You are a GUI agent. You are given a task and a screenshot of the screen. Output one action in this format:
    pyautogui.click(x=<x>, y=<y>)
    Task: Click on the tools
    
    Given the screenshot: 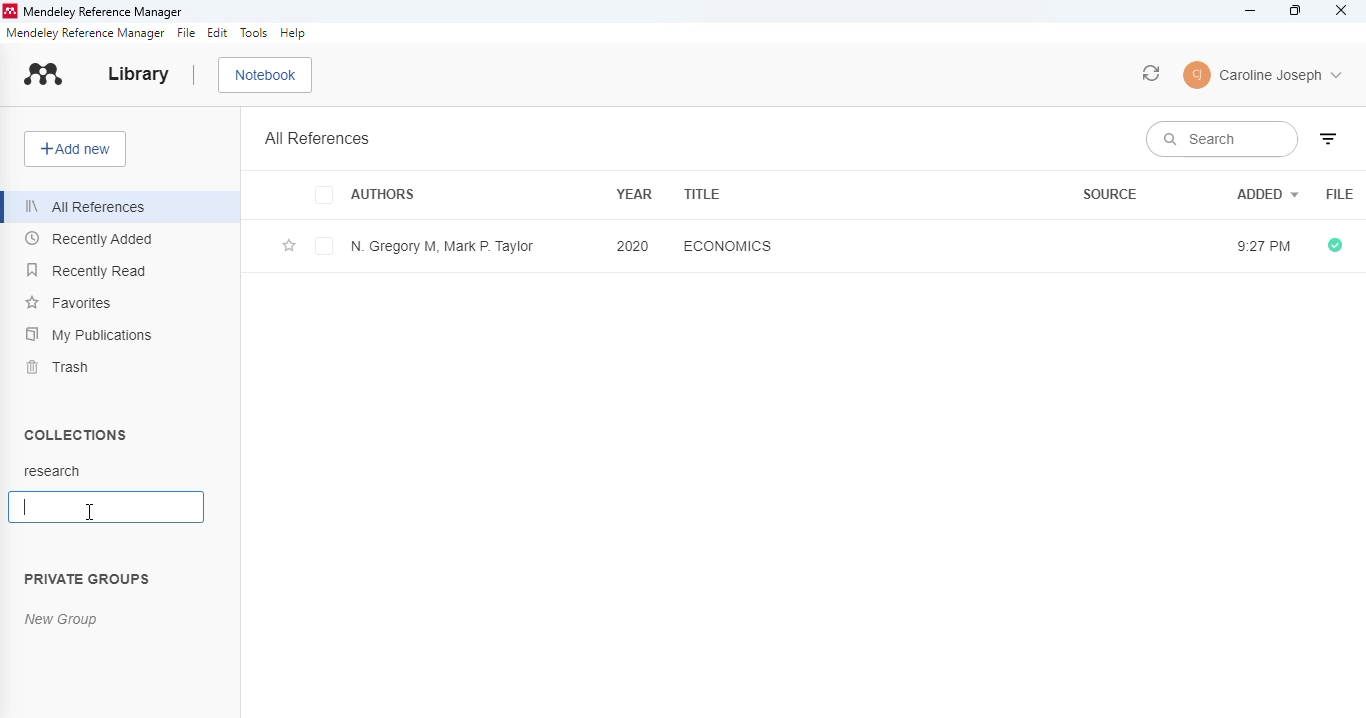 What is the action you would take?
    pyautogui.click(x=254, y=33)
    